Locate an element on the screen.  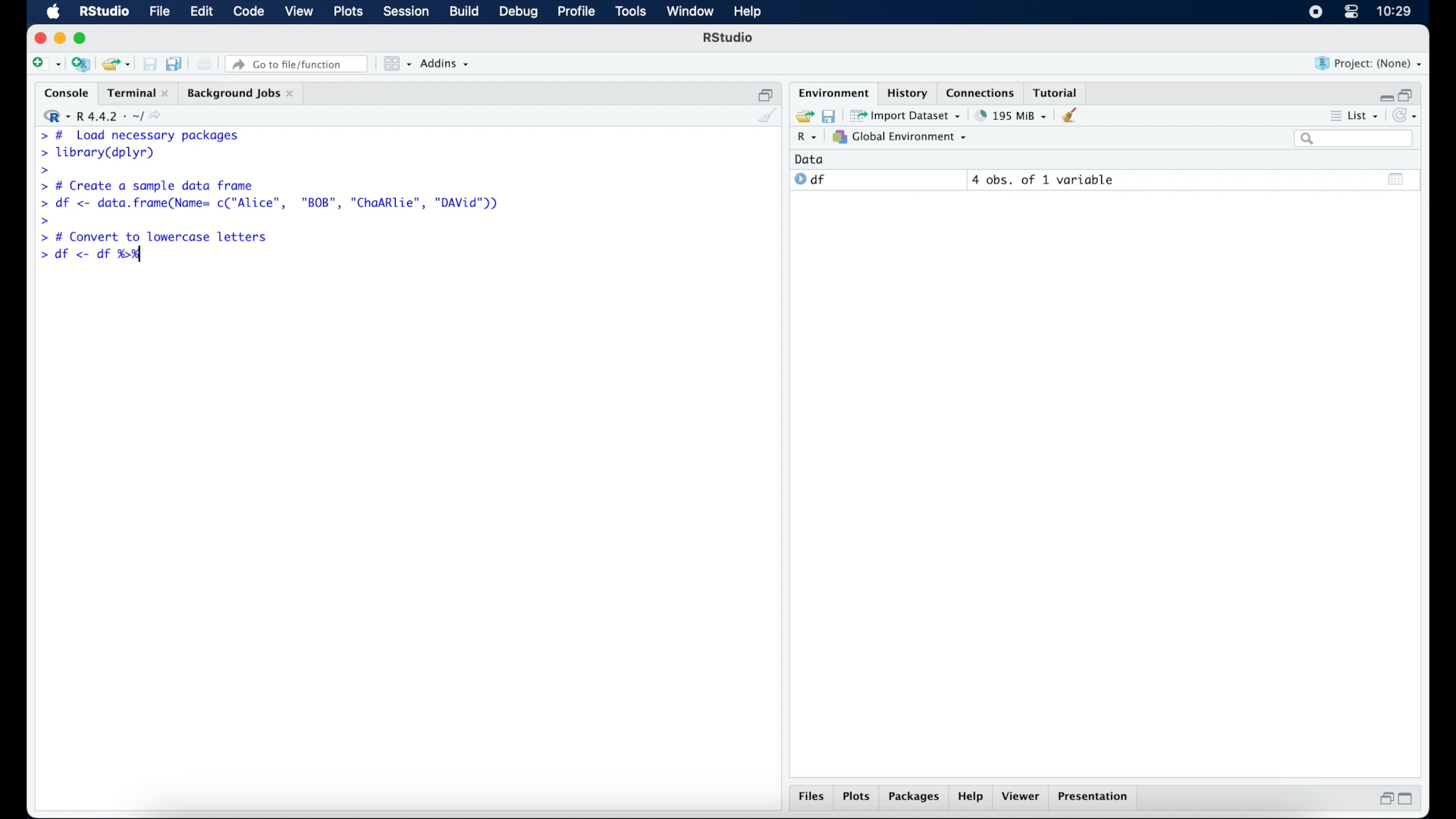
clear workspace is located at coordinates (1075, 116).